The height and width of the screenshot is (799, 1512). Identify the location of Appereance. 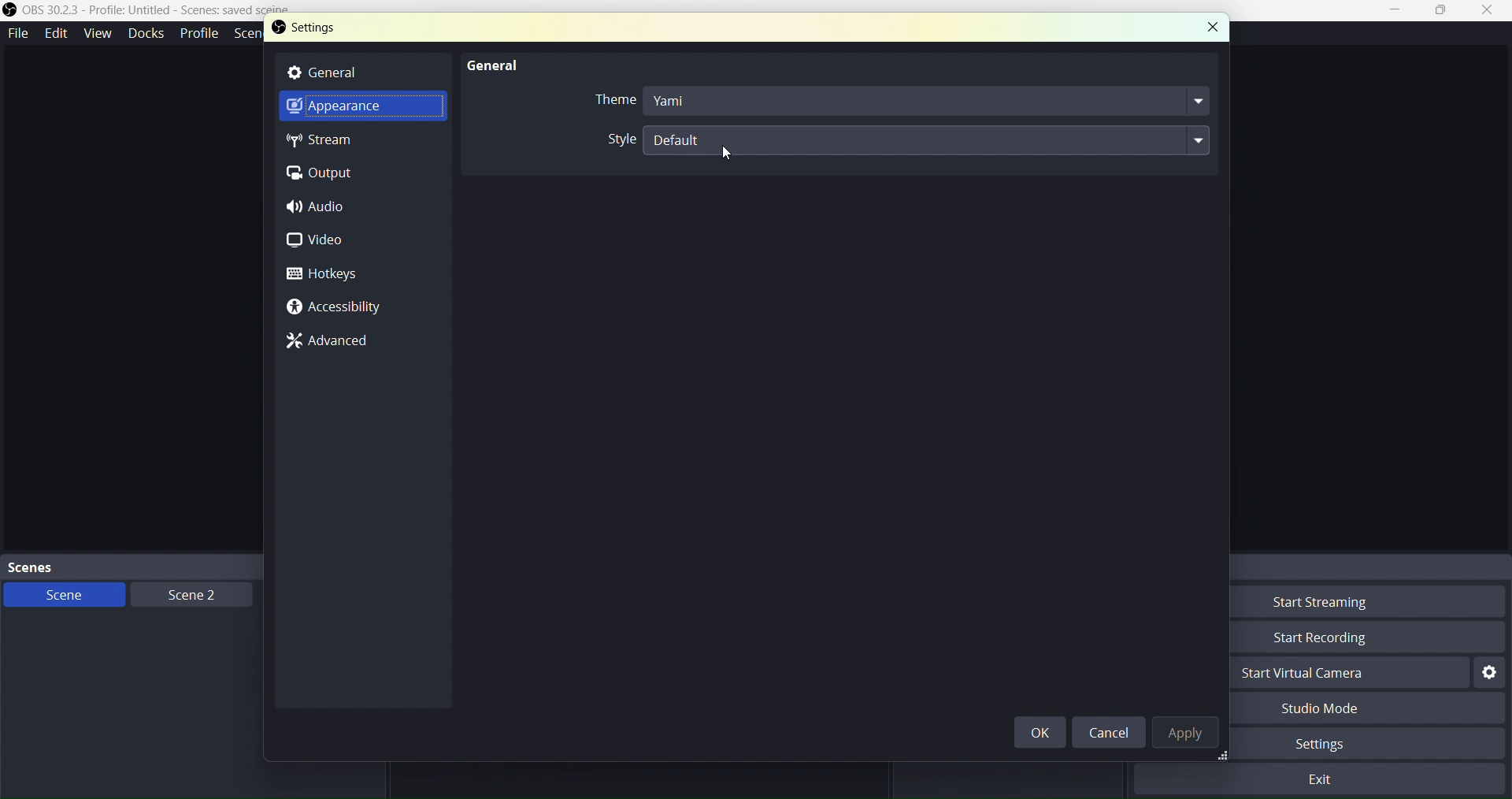
(353, 110).